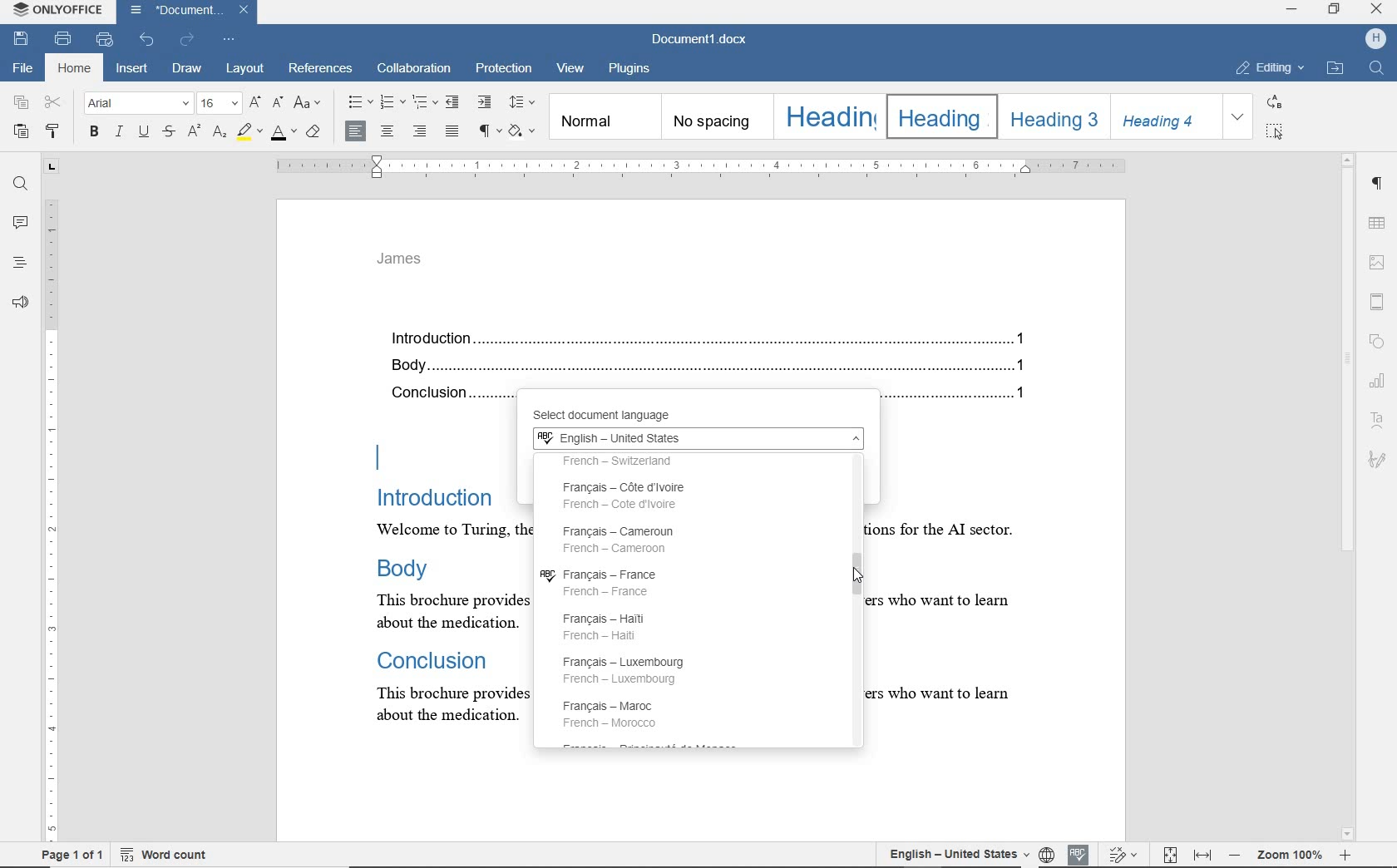 Image resolution: width=1397 pixels, height=868 pixels. What do you see at coordinates (359, 102) in the screenshot?
I see `bullets` at bounding box center [359, 102].